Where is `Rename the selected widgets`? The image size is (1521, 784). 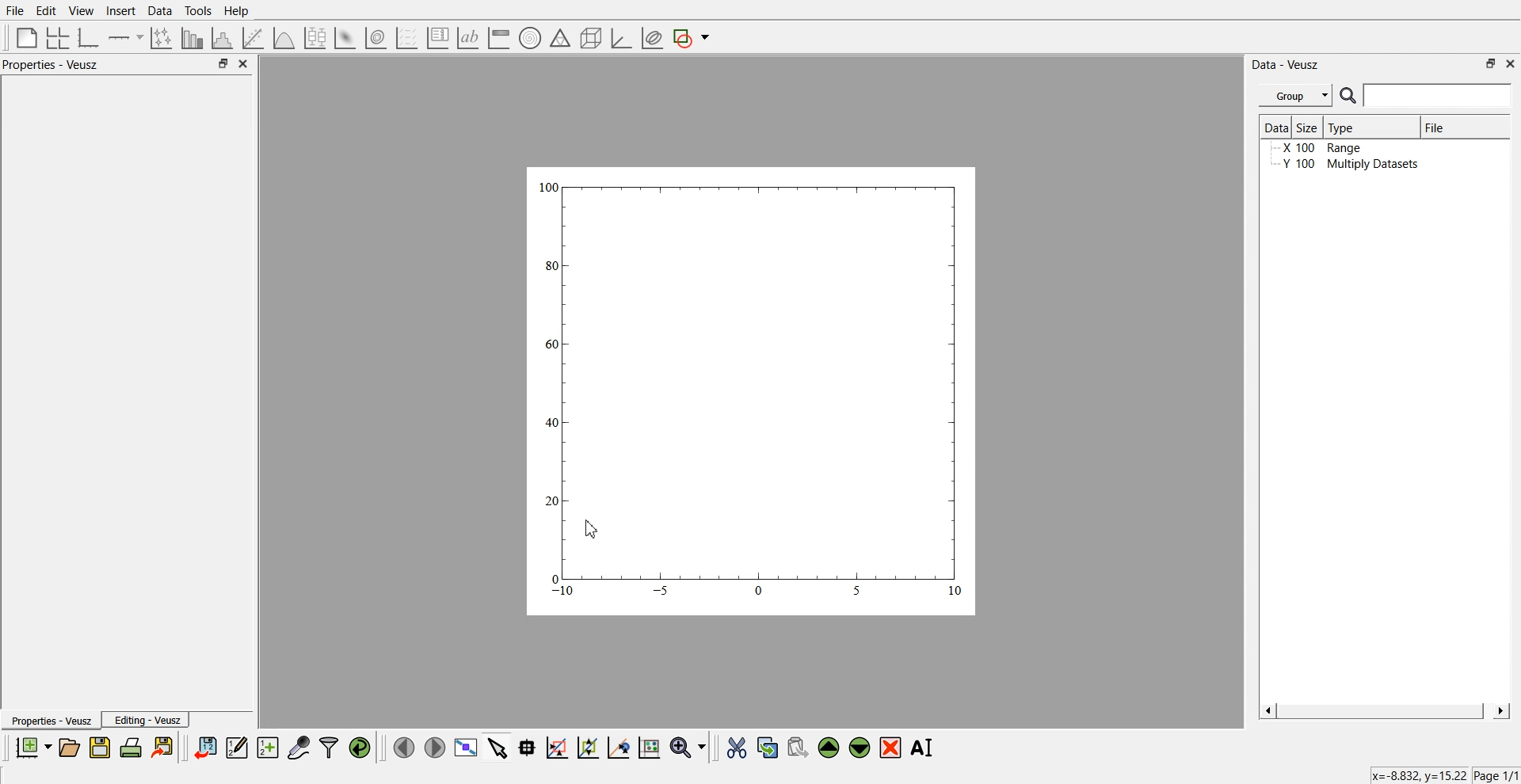 Rename the selected widgets is located at coordinates (925, 748).